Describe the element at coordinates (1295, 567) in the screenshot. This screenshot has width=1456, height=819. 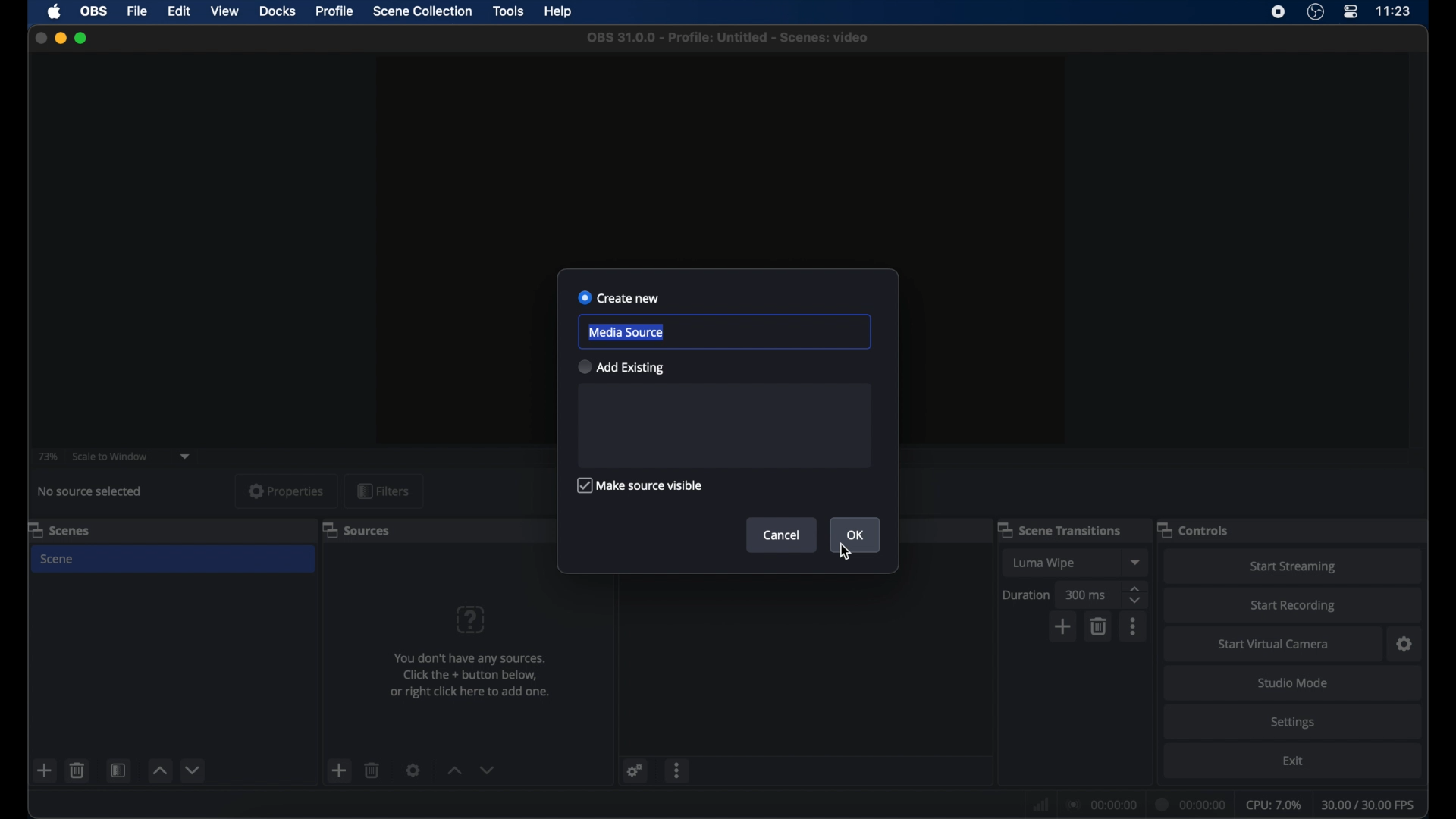
I see `start streaming` at that location.